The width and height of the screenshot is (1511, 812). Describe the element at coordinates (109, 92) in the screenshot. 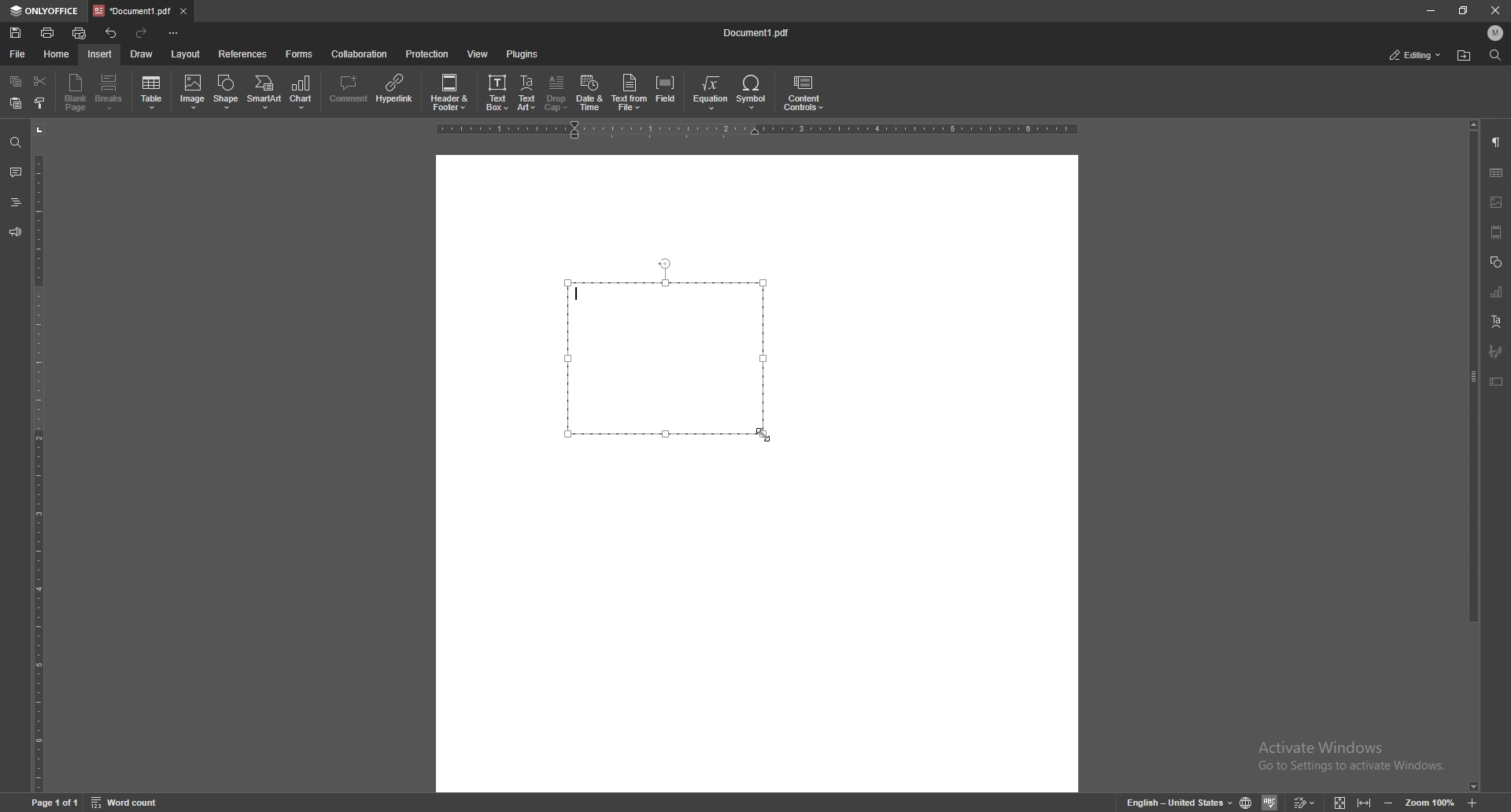

I see `breaks` at that location.